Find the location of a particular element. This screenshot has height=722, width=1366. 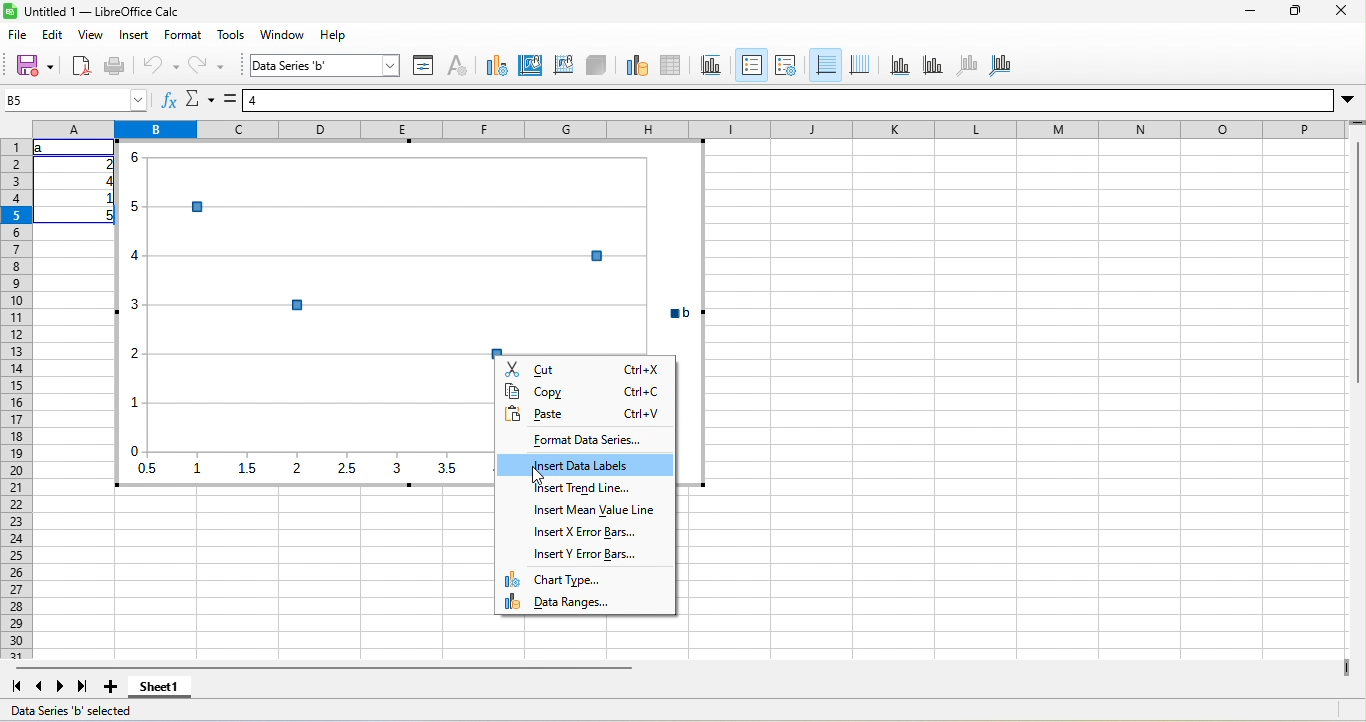

insert data labels is located at coordinates (584, 464).